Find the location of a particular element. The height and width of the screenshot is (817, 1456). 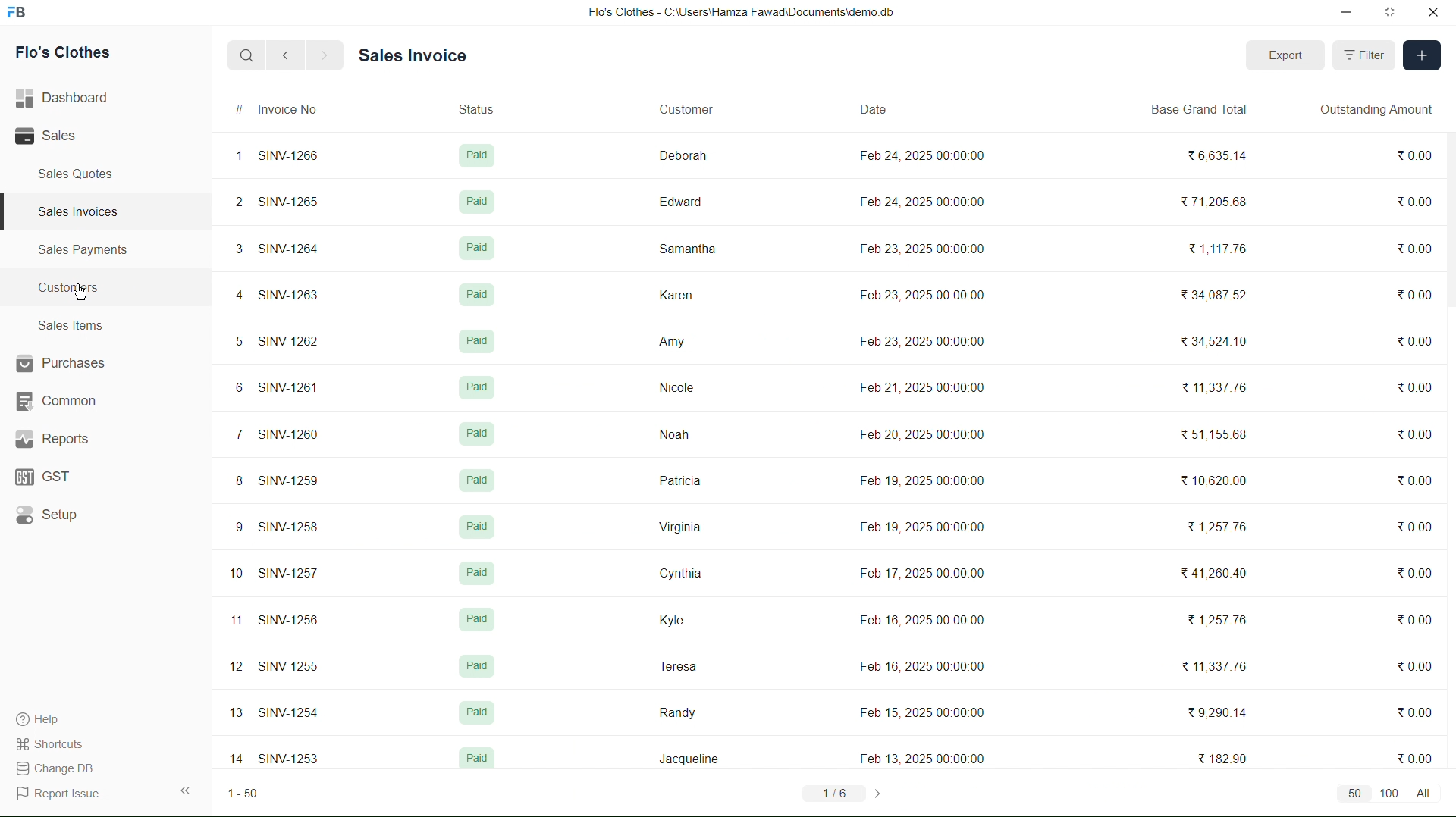

8 is located at coordinates (231, 480).